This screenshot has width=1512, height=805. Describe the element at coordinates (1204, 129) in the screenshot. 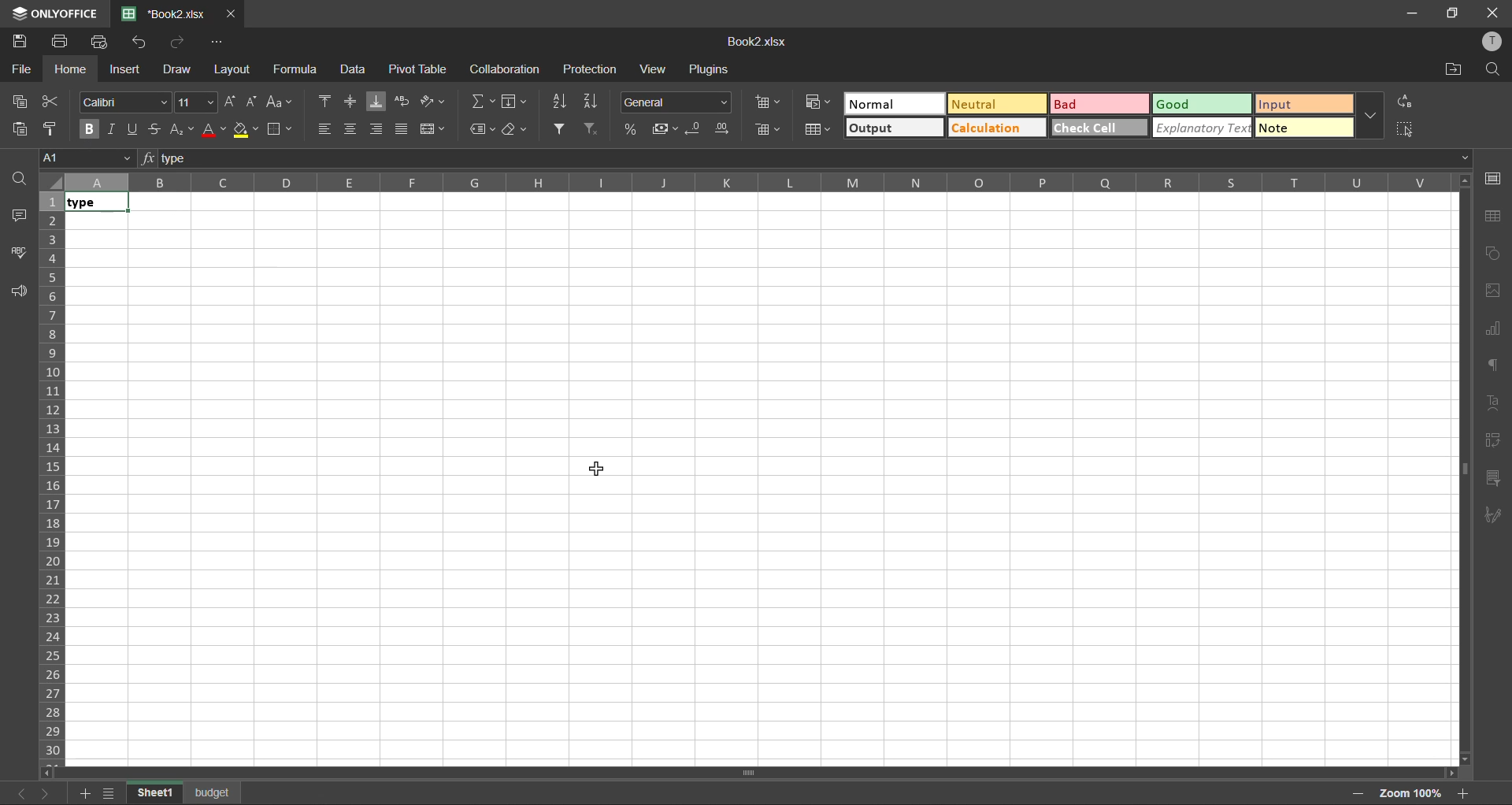

I see `explanatory text` at that location.